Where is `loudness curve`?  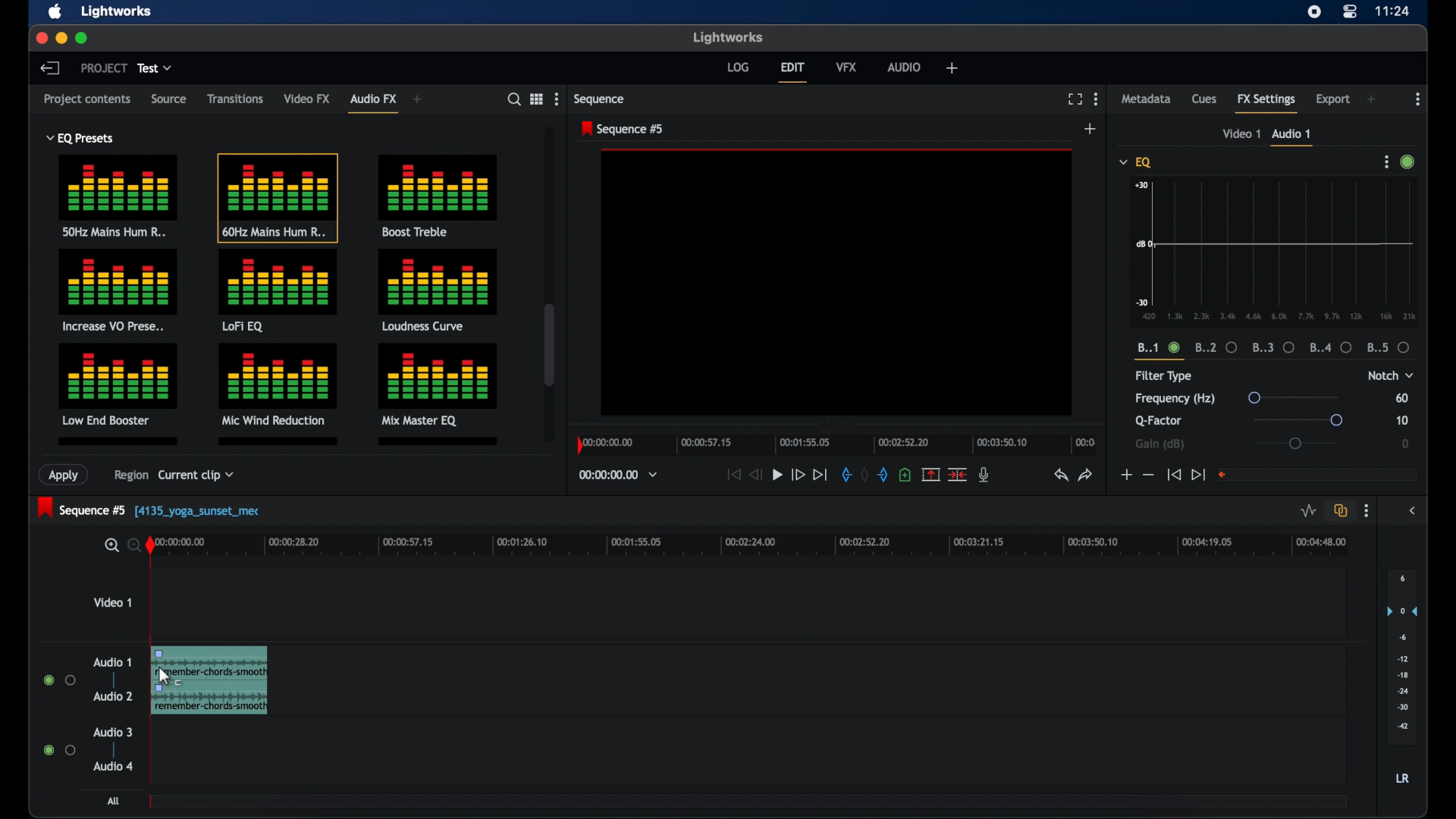
loudness curve is located at coordinates (438, 290).